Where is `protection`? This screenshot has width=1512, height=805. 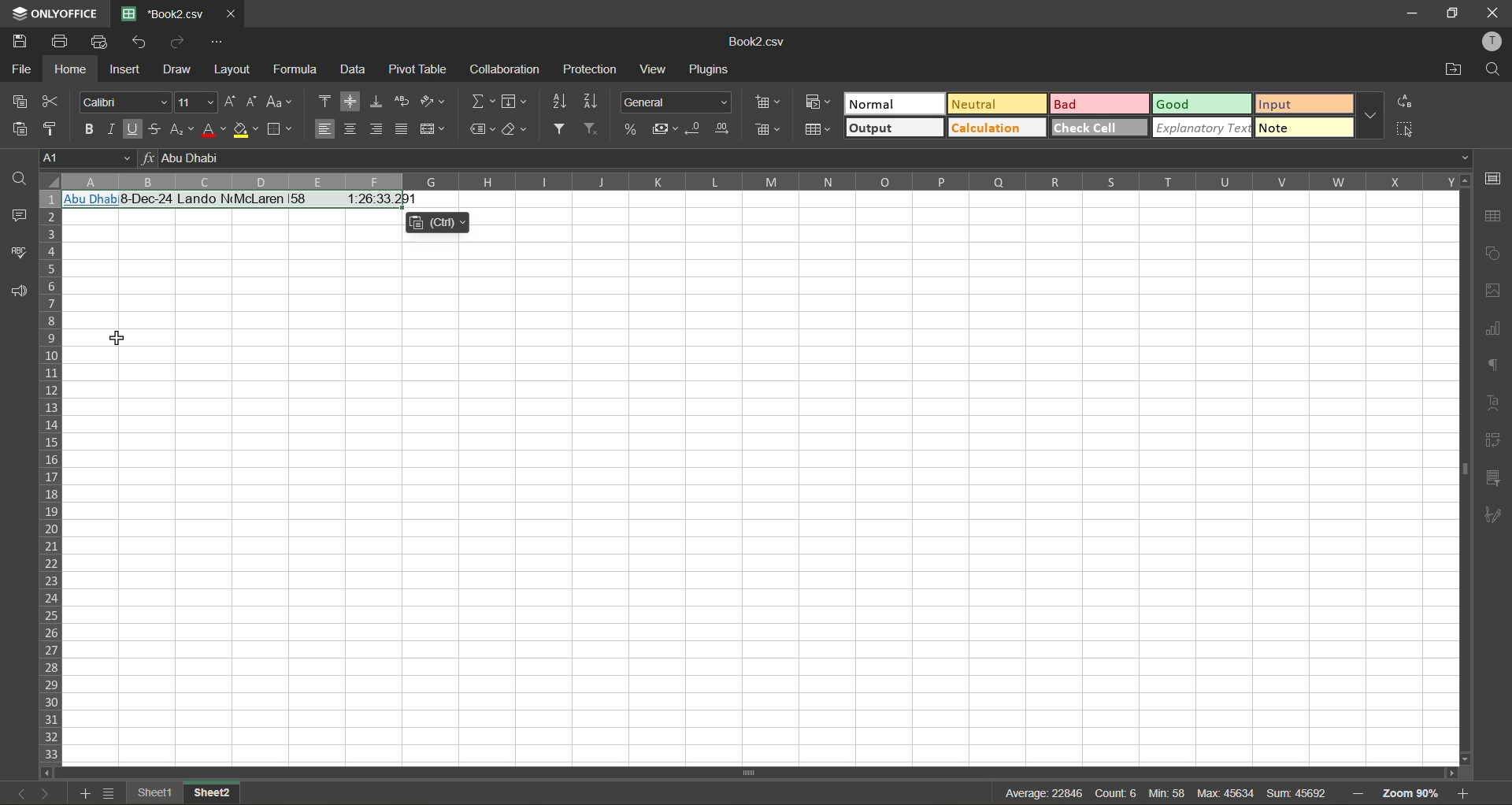 protection is located at coordinates (591, 69).